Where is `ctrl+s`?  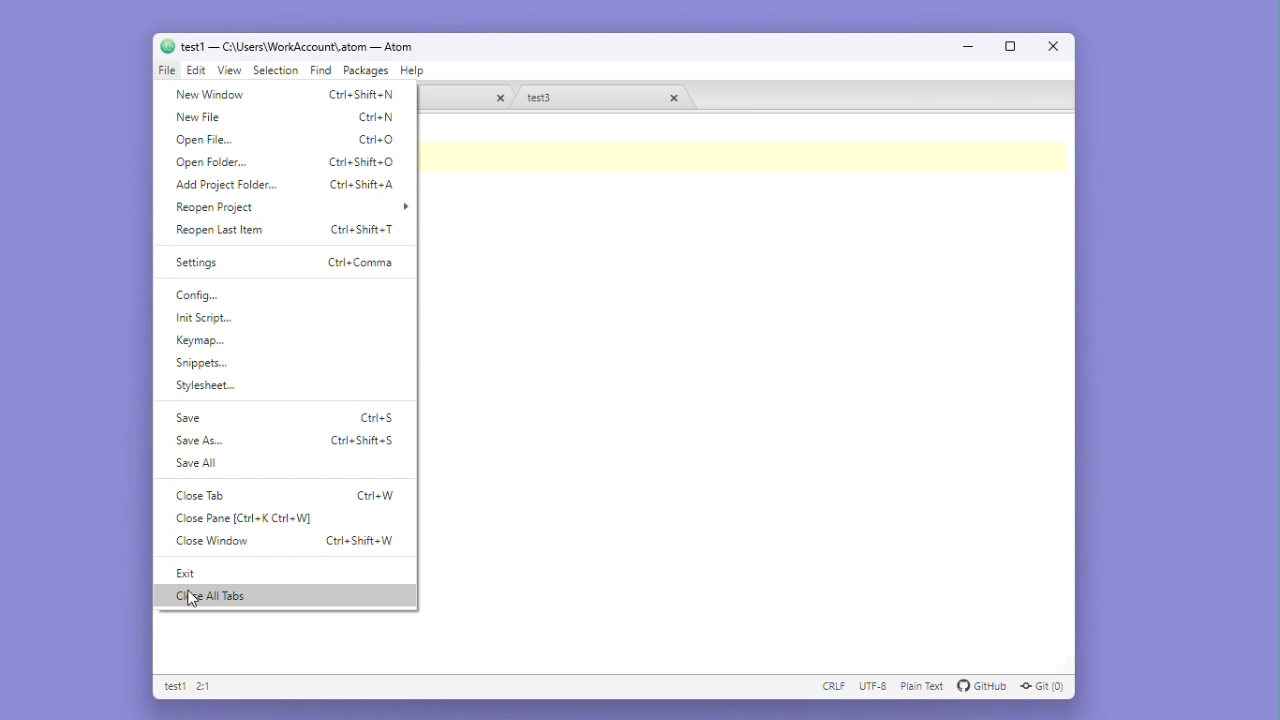 ctrl+s is located at coordinates (382, 417).